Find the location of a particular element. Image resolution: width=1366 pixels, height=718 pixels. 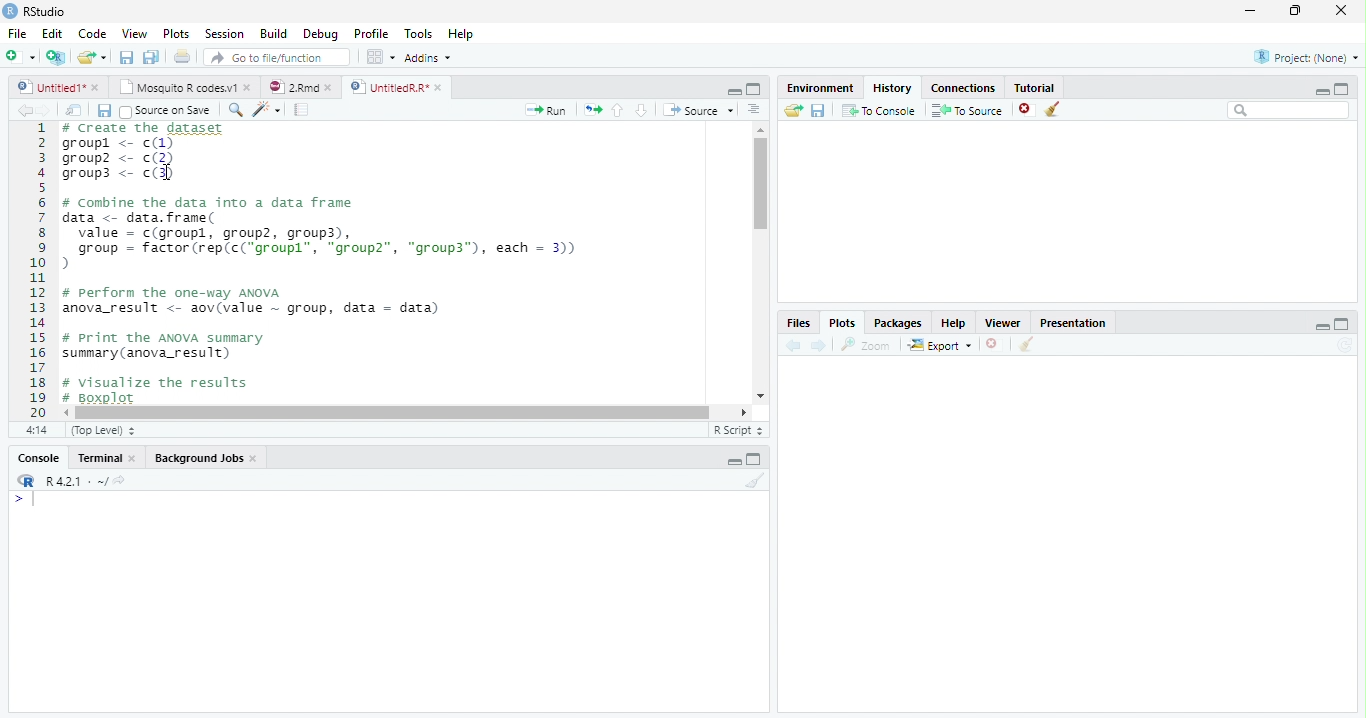

Edit is located at coordinates (51, 33).